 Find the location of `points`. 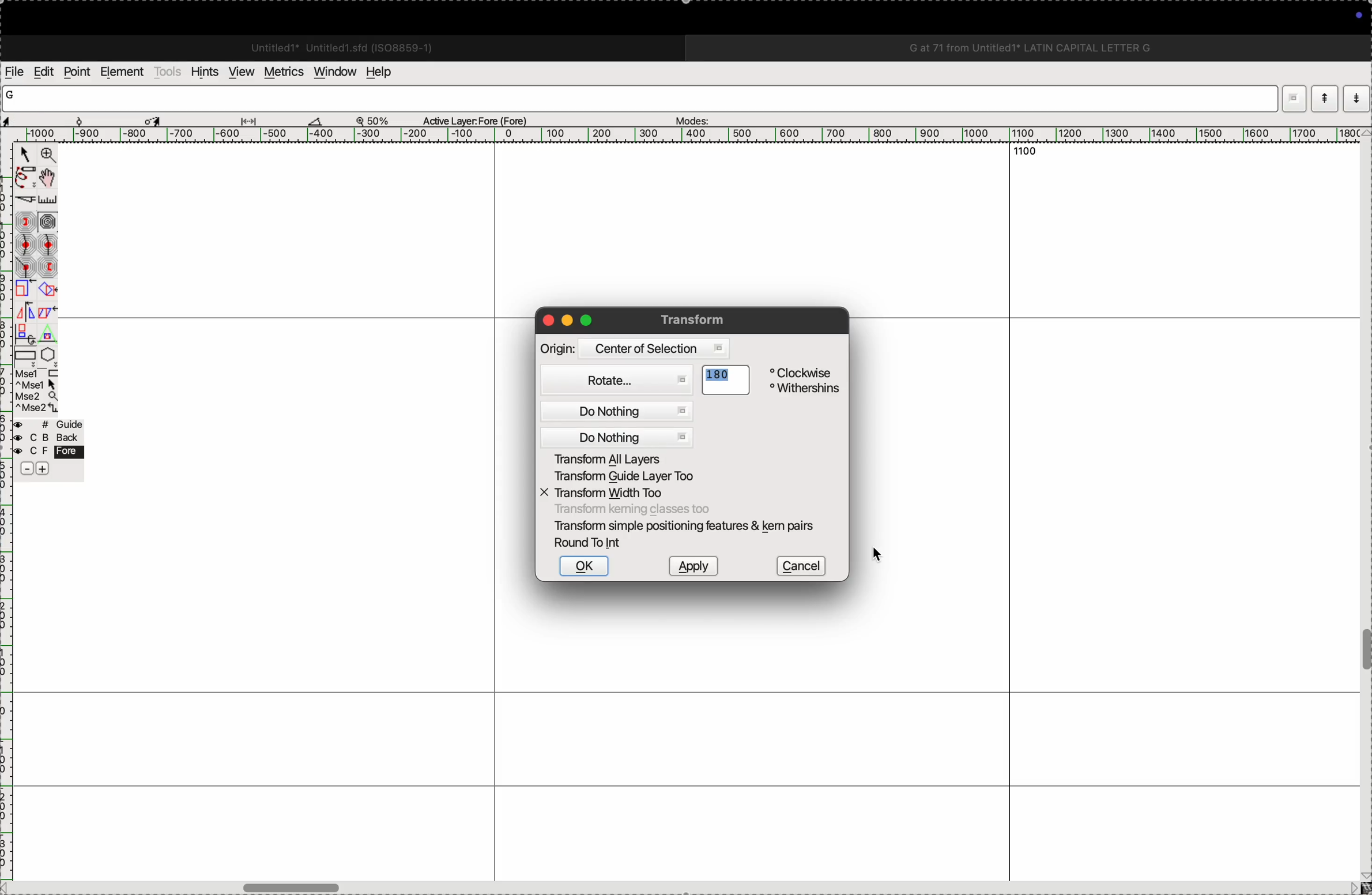

points is located at coordinates (77, 73).